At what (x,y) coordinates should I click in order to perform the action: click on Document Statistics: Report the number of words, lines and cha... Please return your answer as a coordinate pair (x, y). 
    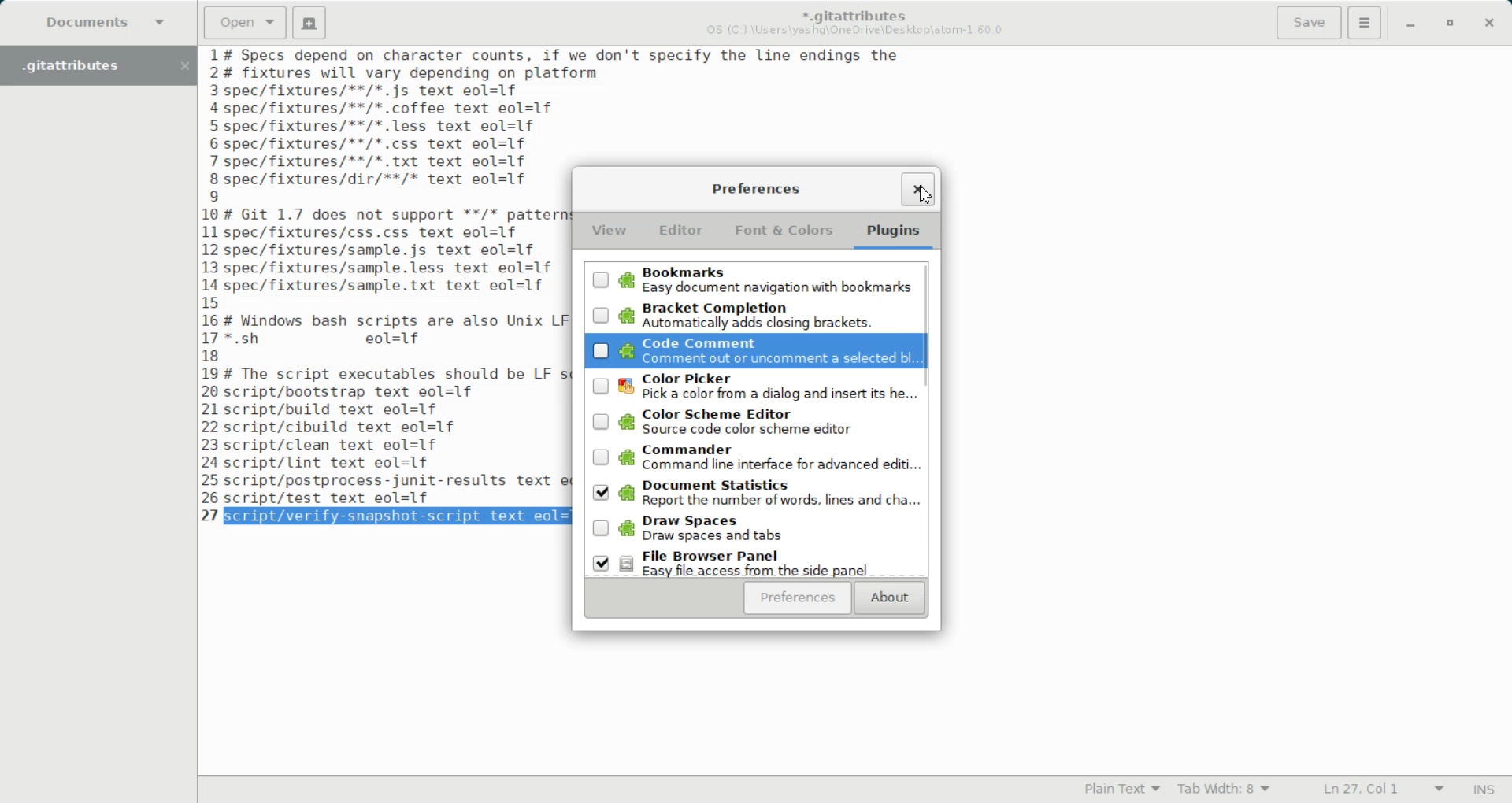
    Looking at the image, I should click on (751, 494).